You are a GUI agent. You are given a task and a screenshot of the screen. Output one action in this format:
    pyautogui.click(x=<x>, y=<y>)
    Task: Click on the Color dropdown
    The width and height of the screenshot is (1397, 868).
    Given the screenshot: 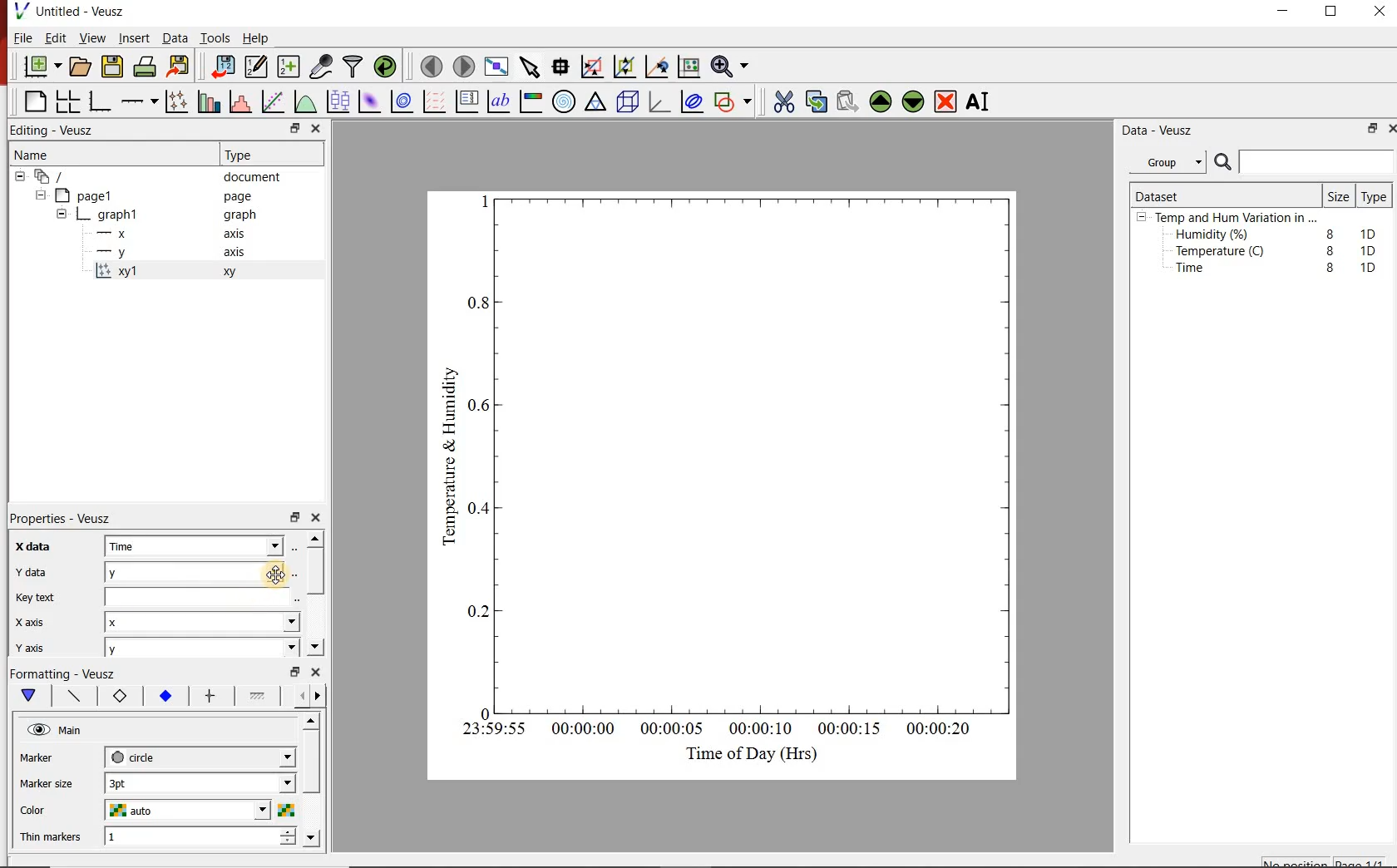 What is the action you would take?
    pyautogui.click(x=237, y=811)
    